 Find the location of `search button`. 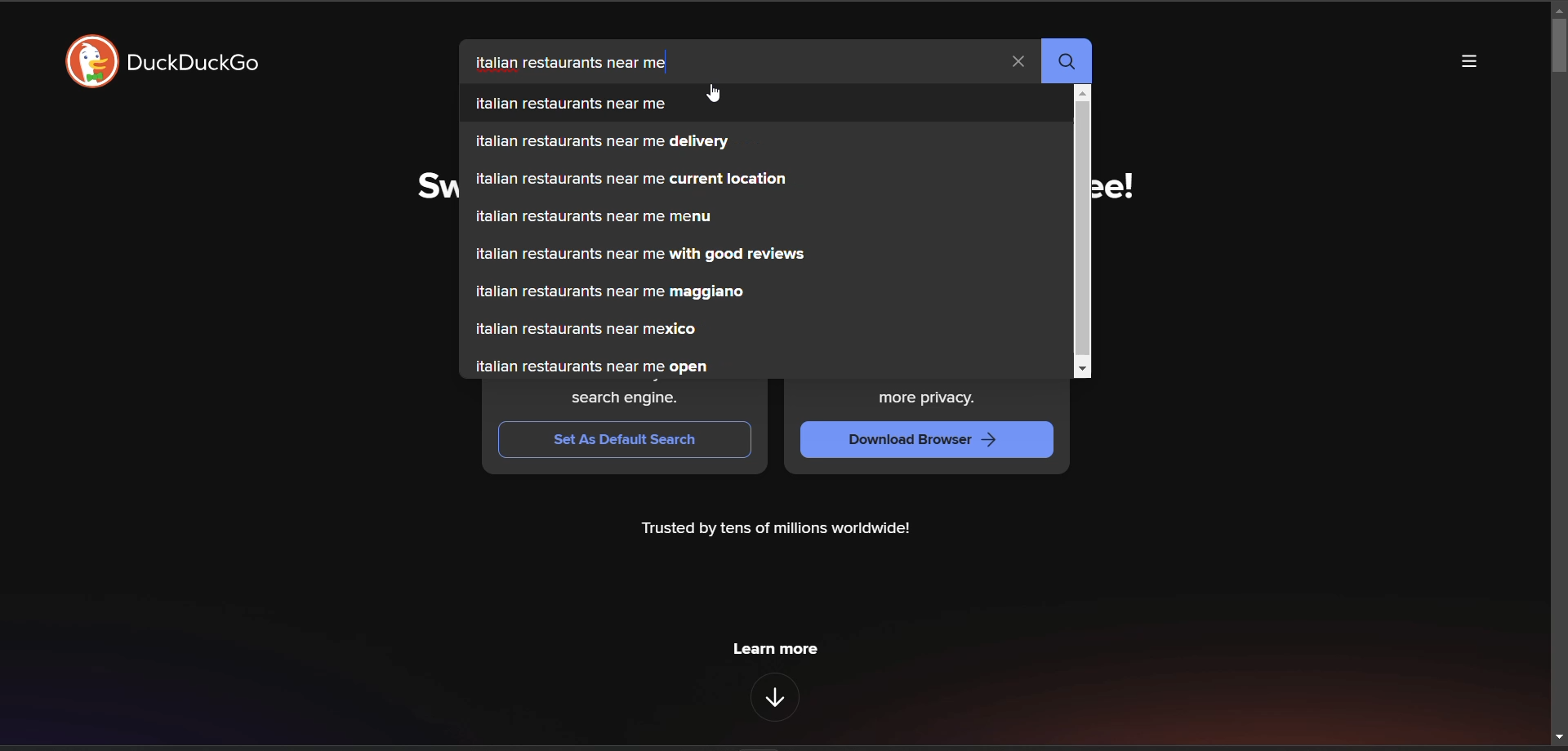

search button is located at coordinates (1069, 62).